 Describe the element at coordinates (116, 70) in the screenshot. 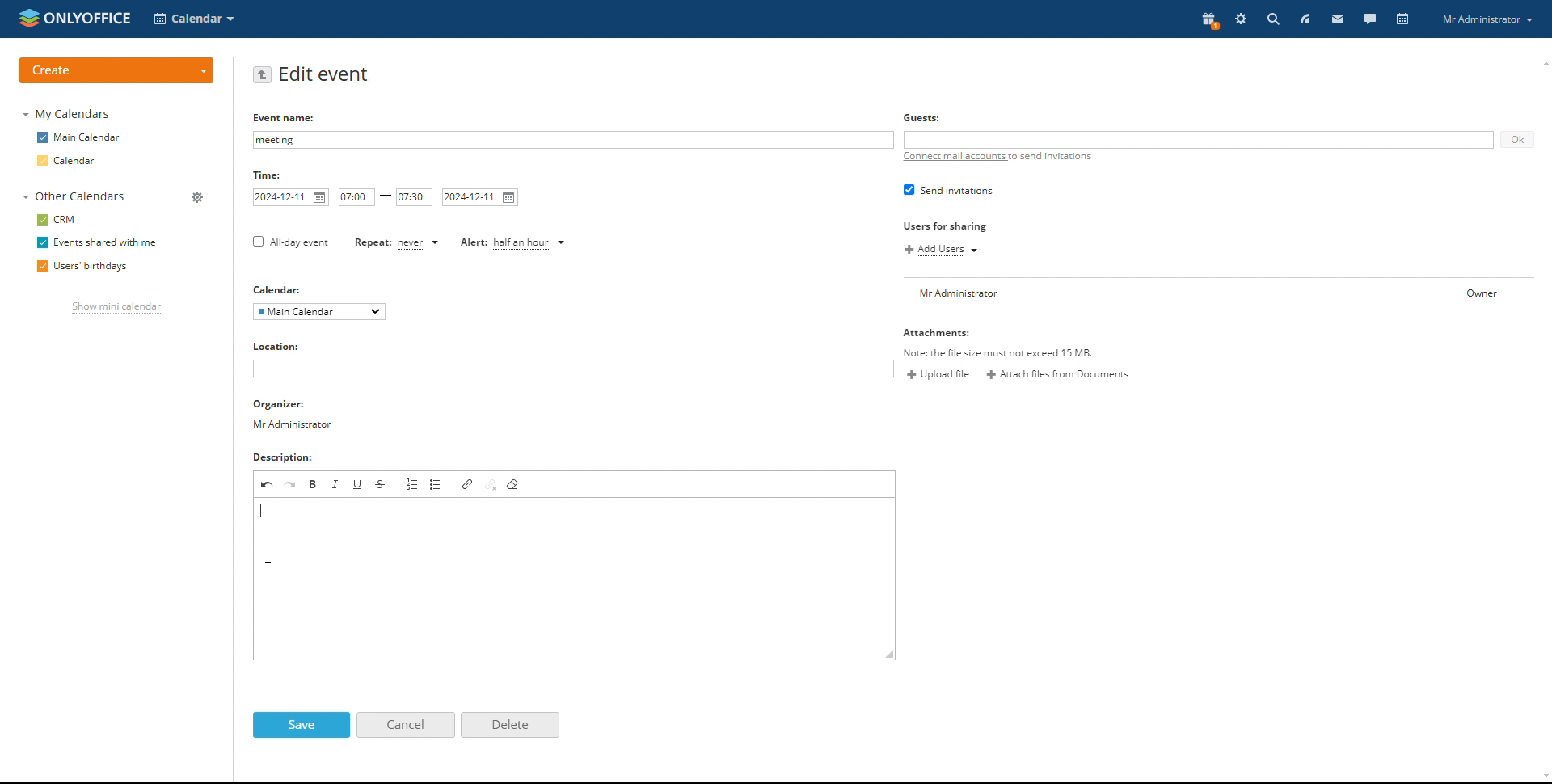

I see `create` at that location.